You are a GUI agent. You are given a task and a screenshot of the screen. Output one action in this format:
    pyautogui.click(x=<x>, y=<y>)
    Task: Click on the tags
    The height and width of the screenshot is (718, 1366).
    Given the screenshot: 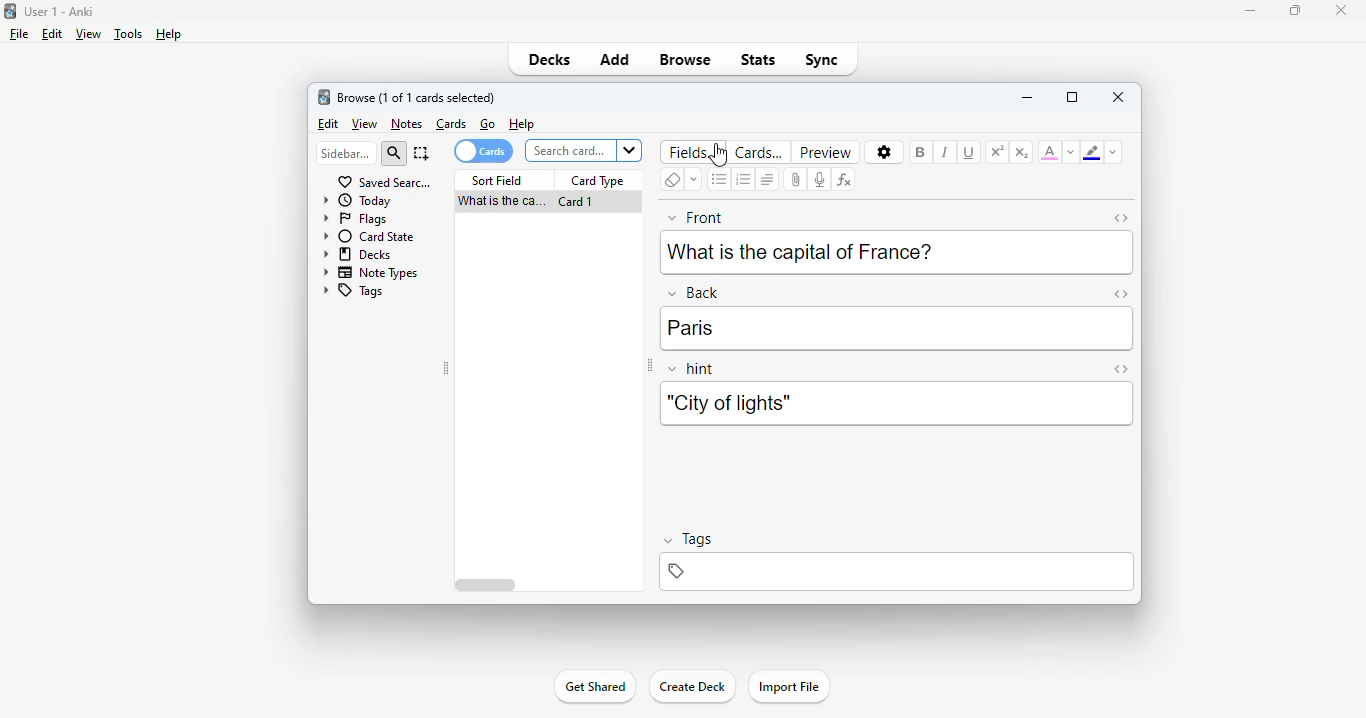 What is the action you would take?
    pyautogui.click(x=352, y=292)
    